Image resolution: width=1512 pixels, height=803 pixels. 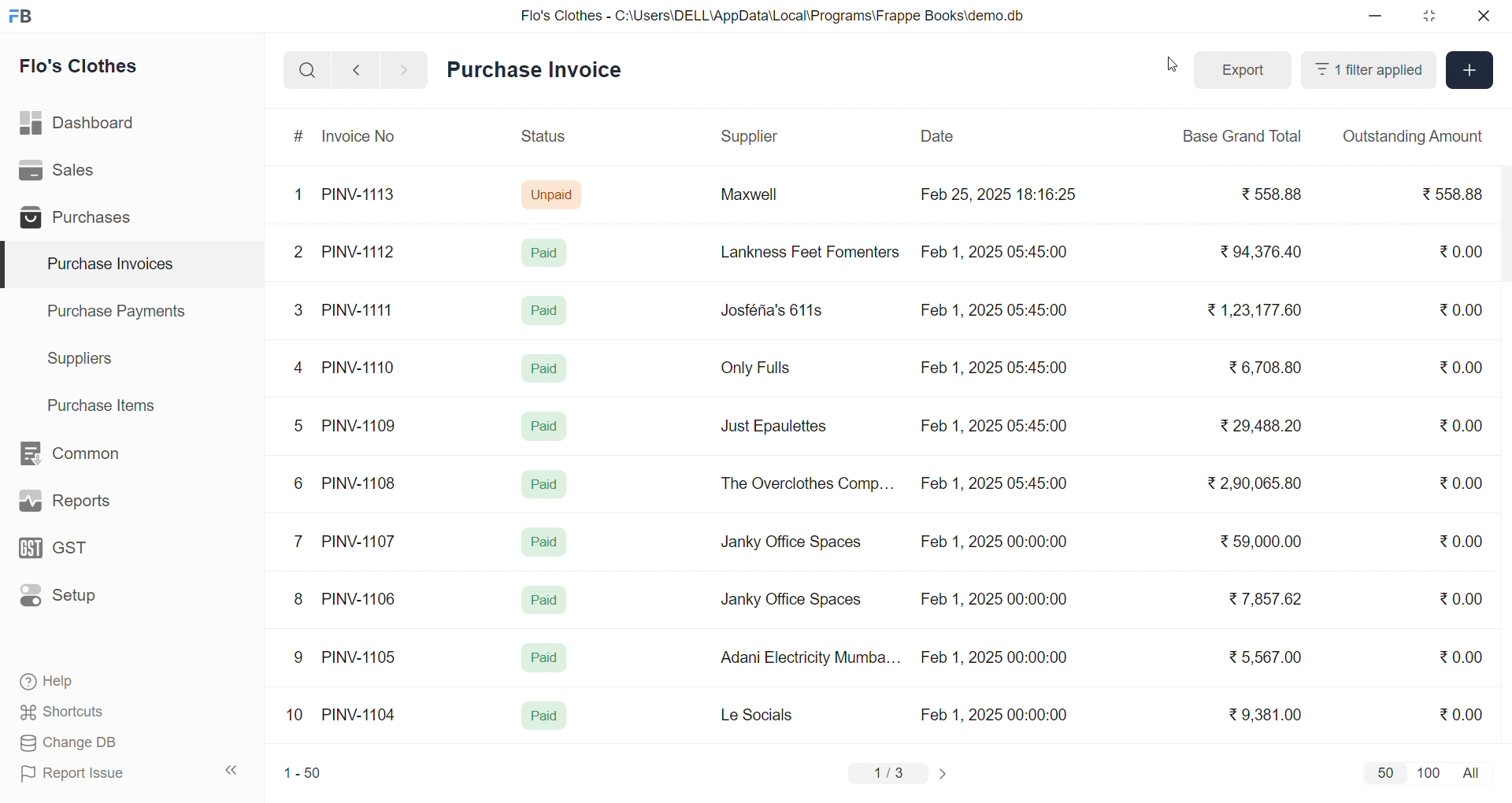 What do you see at coordinates (792, 543) in the screenshot?
I see `Janky Office Spaces` at bounding box center [792, 543].